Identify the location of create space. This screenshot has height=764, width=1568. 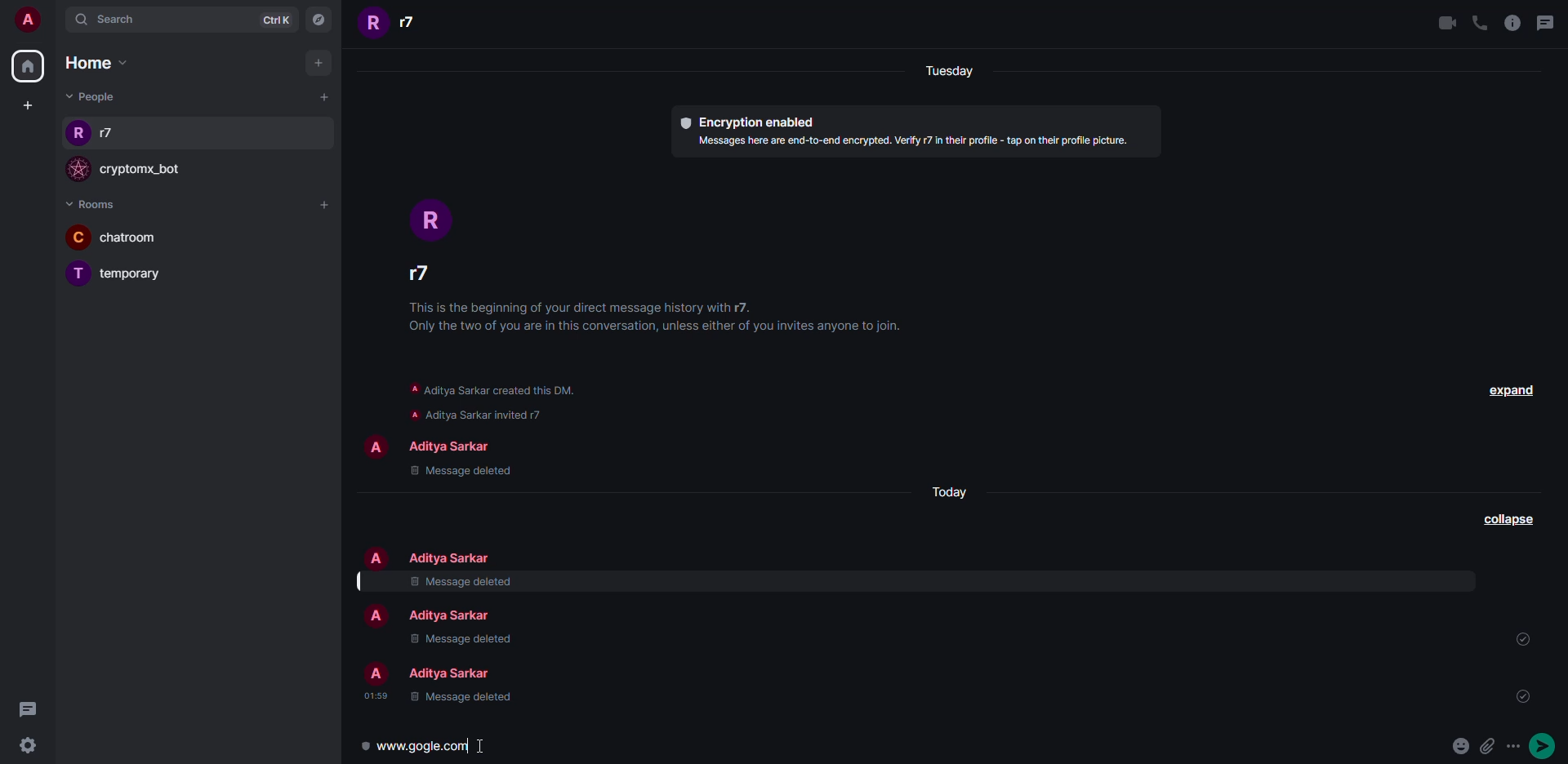
(27, 104).